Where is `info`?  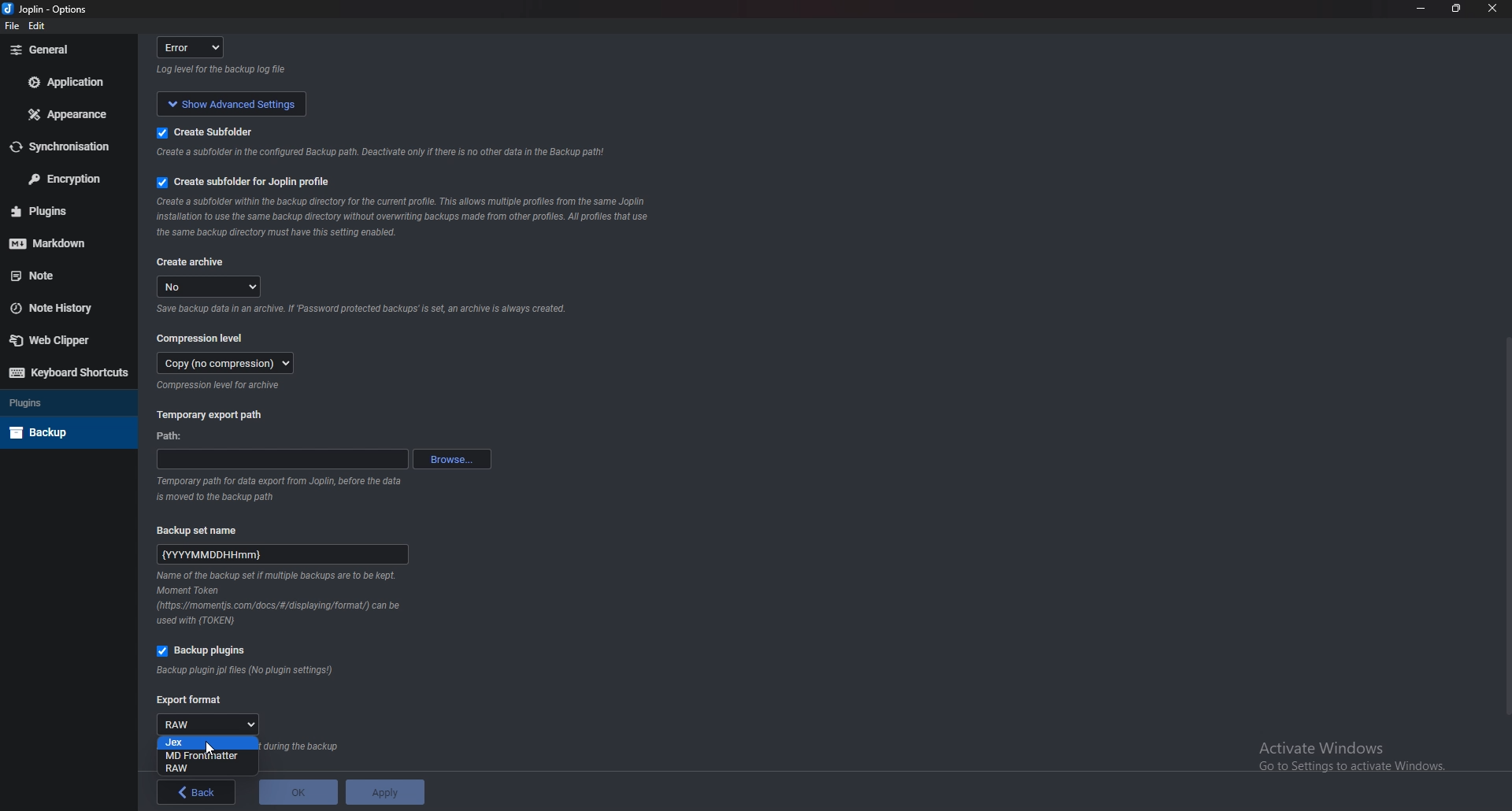
info is located at coordinates (284, 487).